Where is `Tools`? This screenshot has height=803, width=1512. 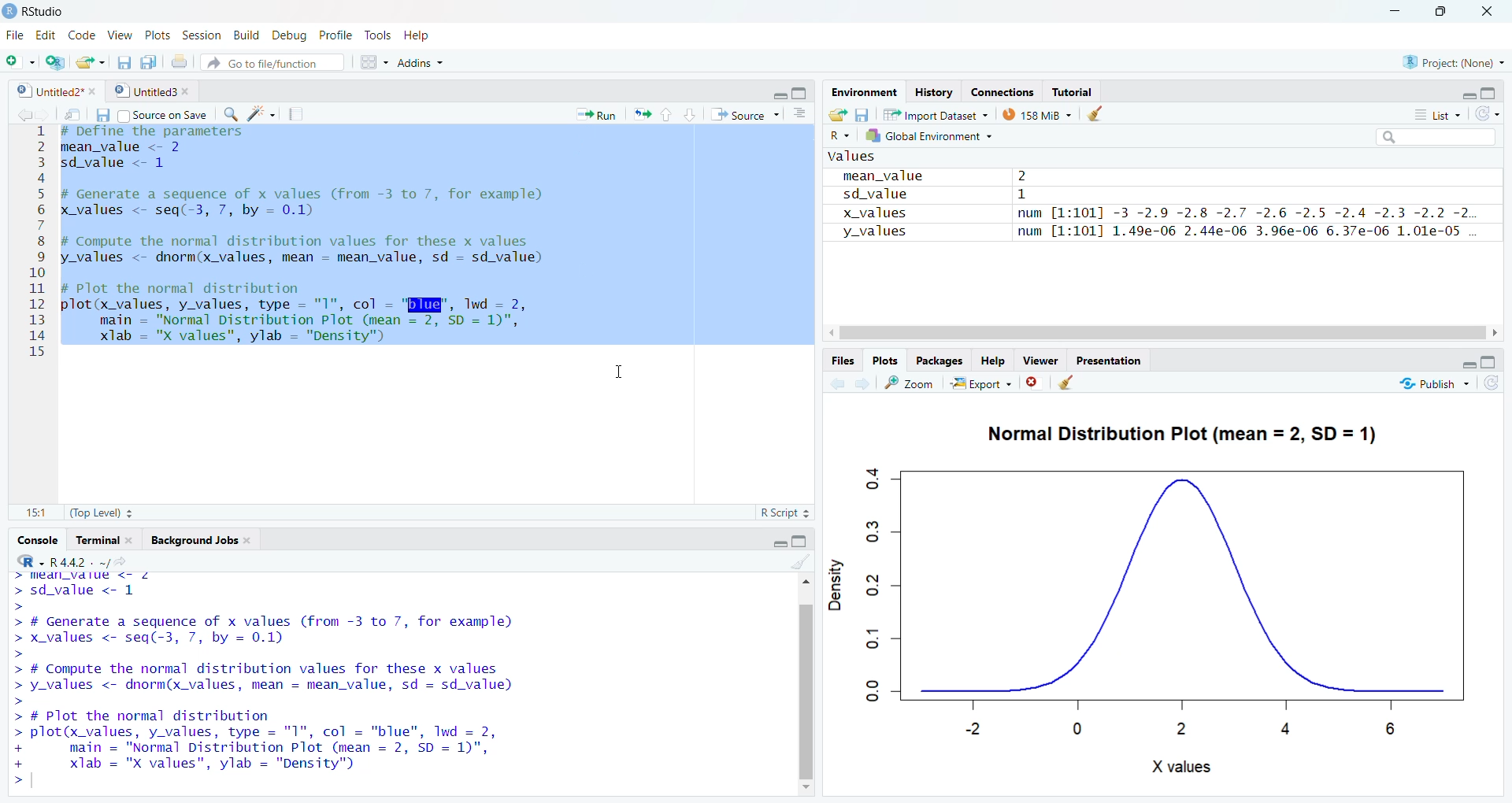 Tools is located at coordinates (379, 33).